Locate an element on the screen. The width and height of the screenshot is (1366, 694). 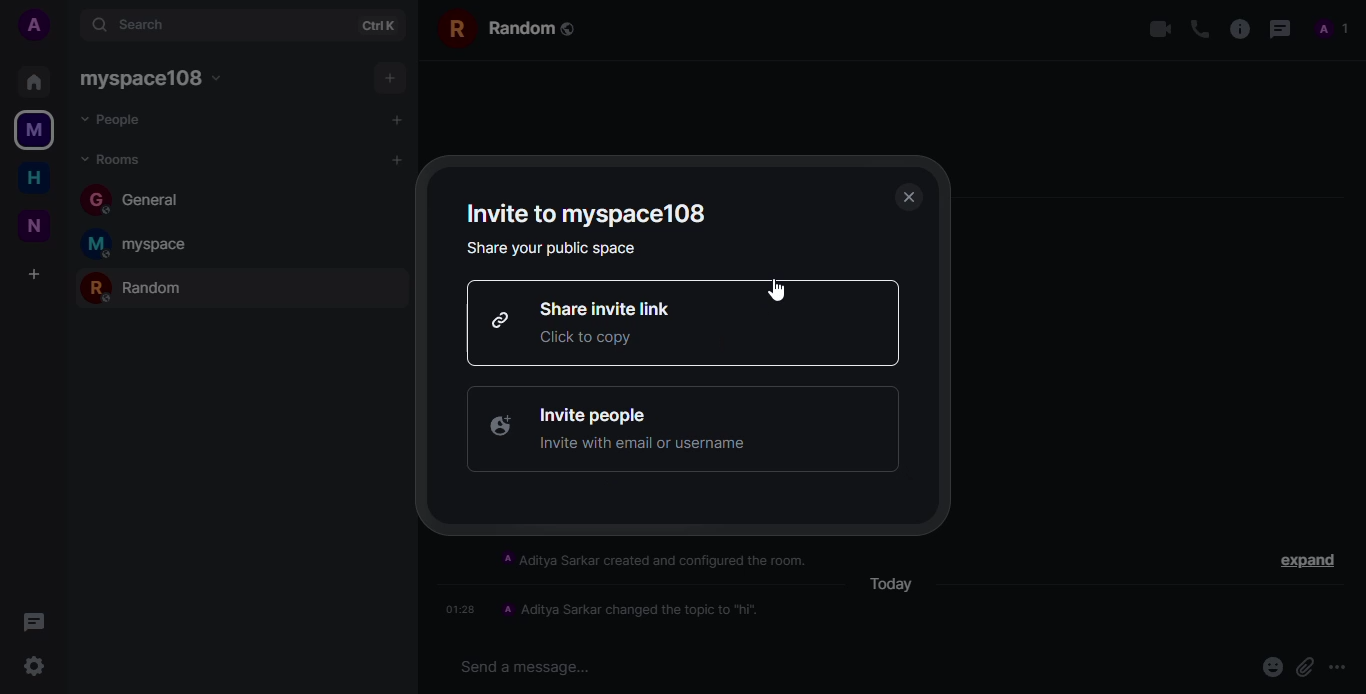
add is located at coordinates (386, 78).